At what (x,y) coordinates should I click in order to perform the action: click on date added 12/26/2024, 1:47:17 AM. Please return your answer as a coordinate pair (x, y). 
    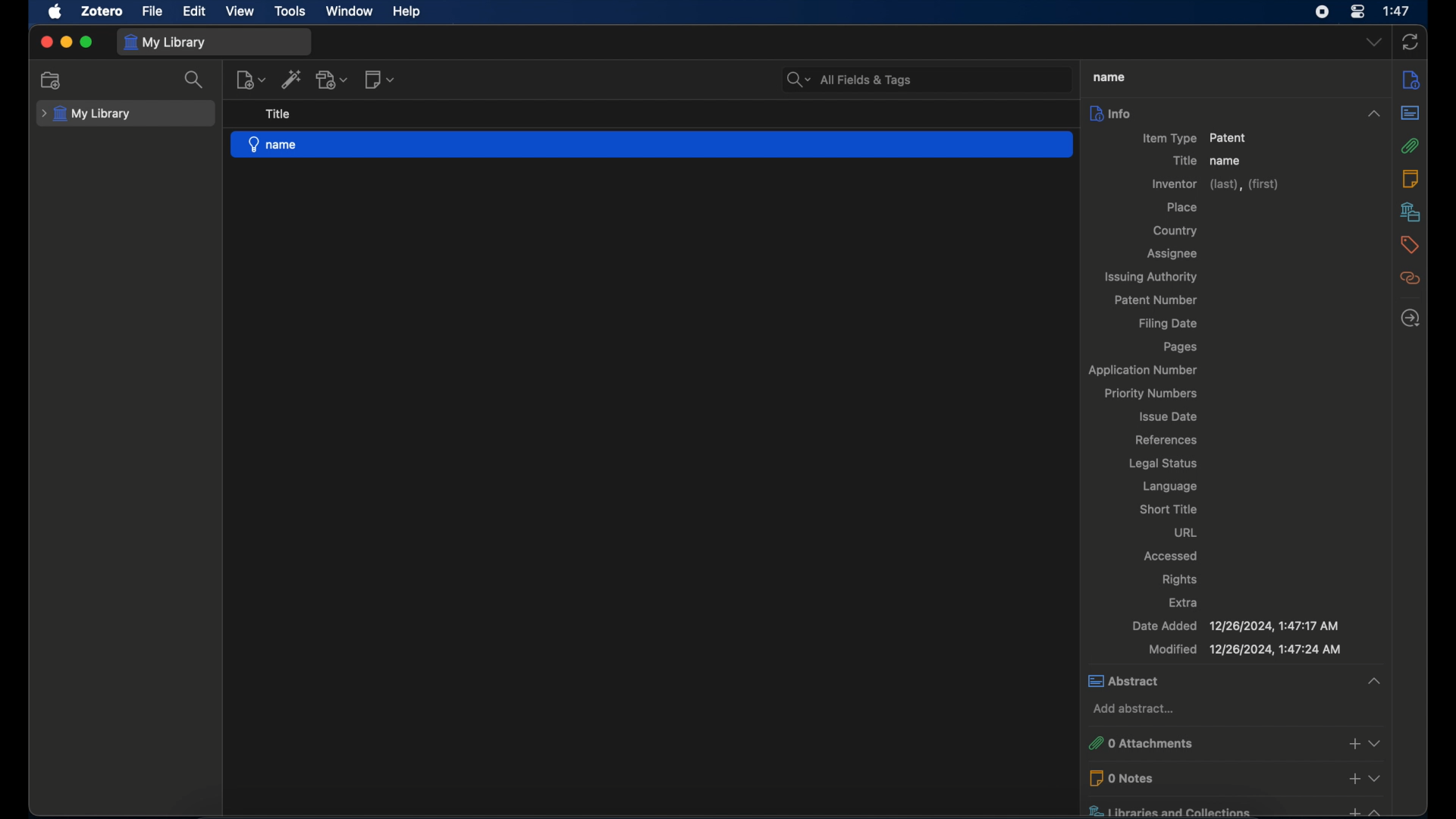
    Looking at the image, I should click on (1235, 626).